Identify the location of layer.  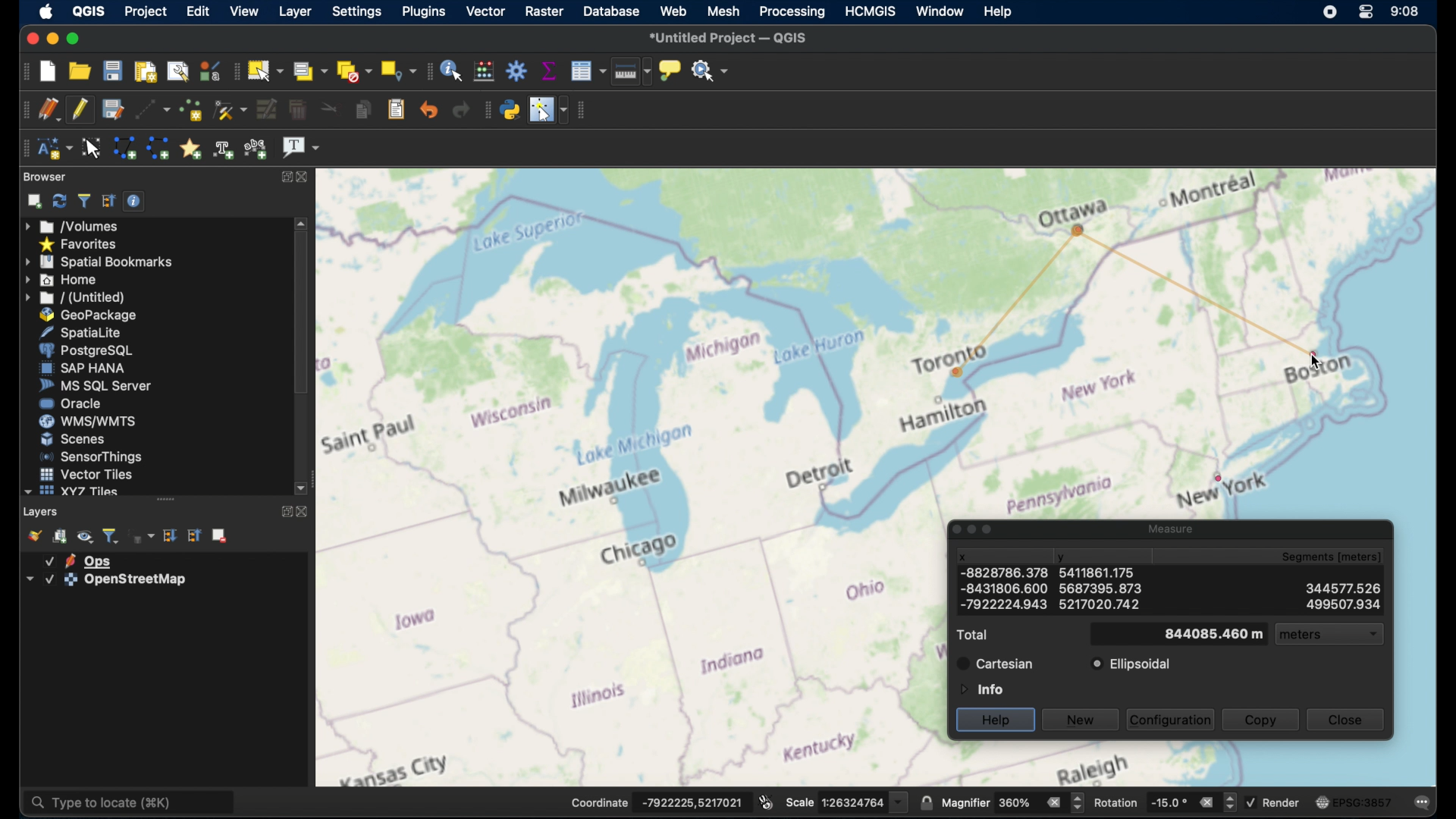
(79, 560).